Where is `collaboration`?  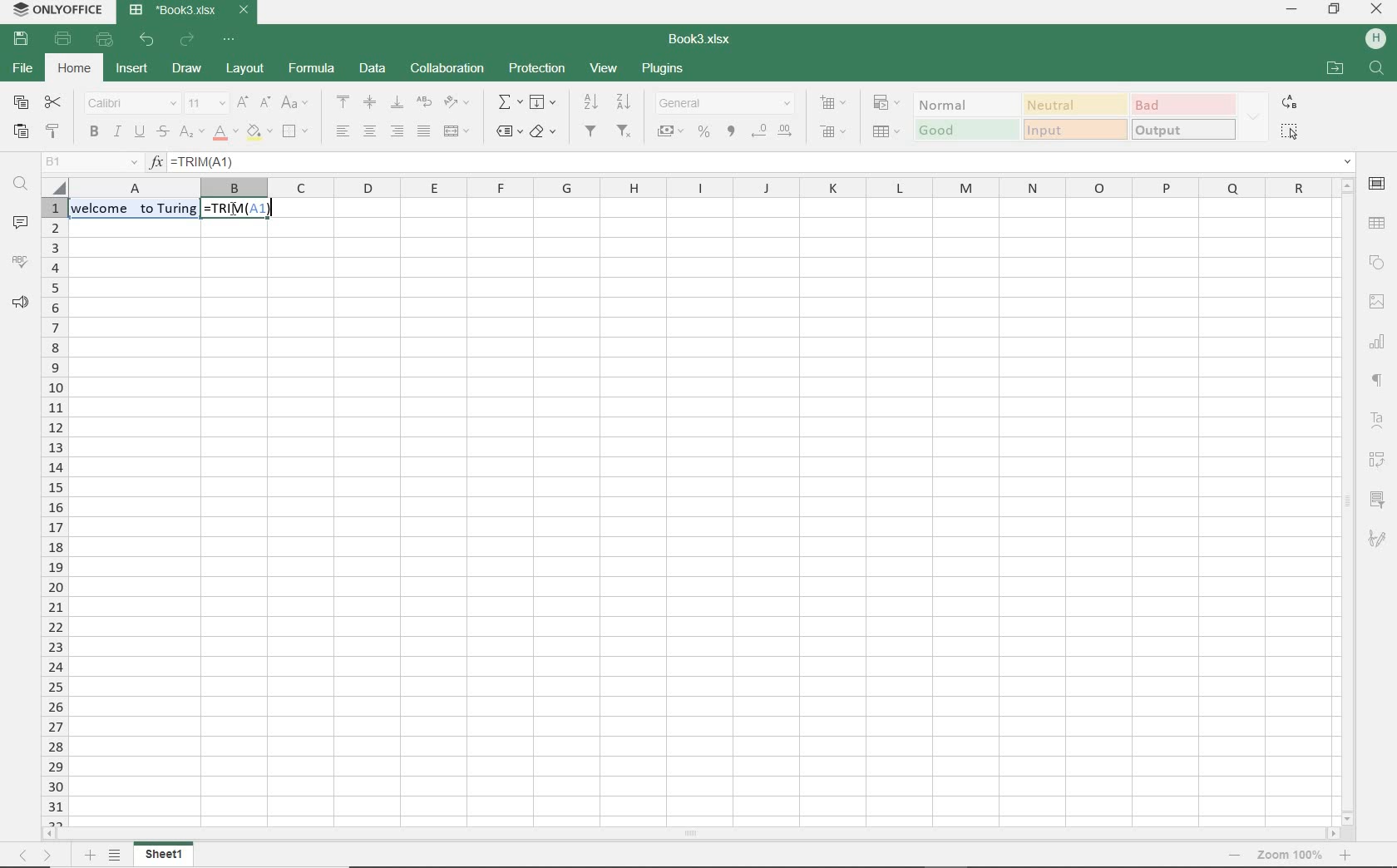
collaboration is located at coordinates (448, 70).